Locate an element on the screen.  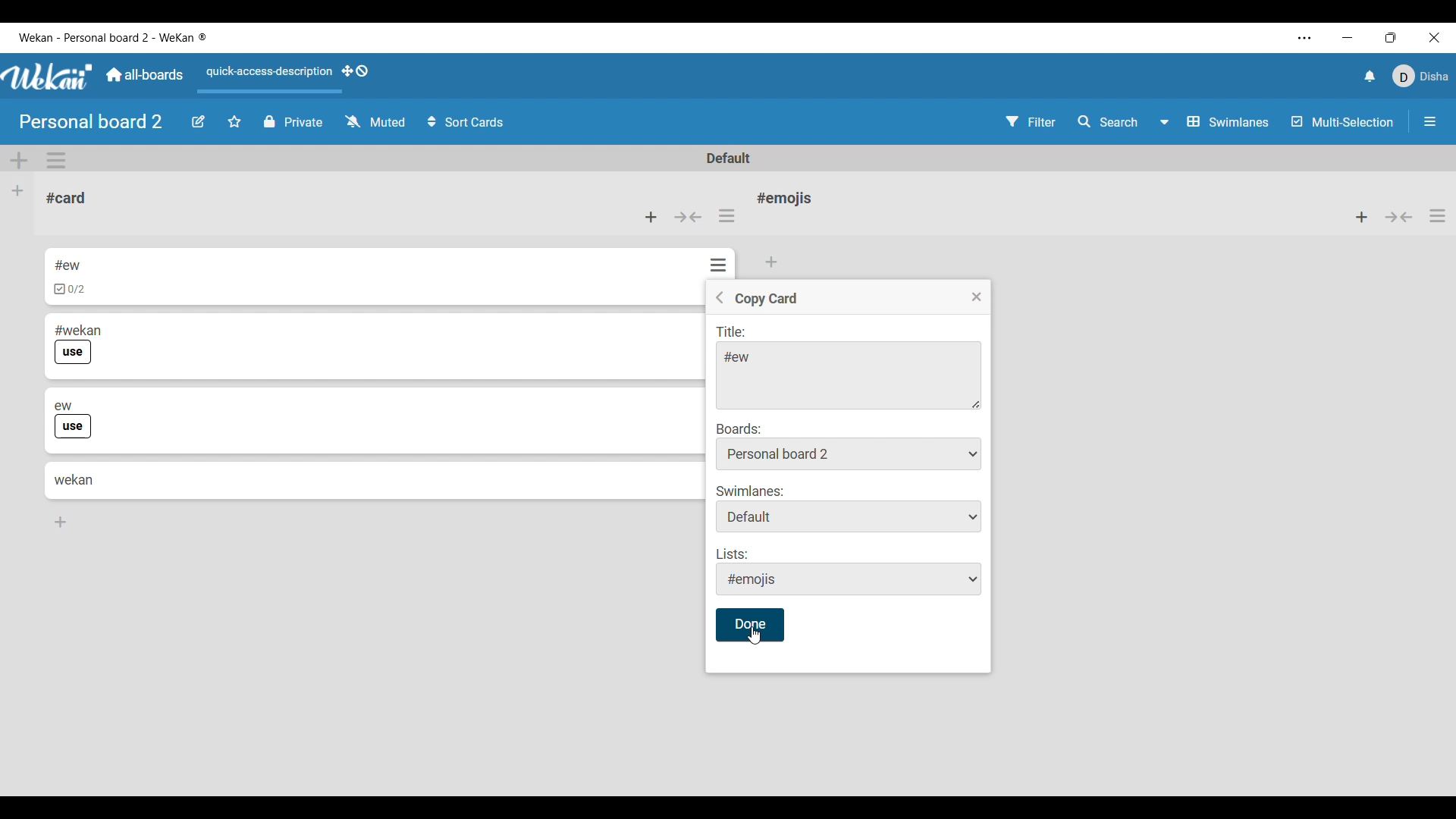
Card 1 is located at coordinates (118, 263).